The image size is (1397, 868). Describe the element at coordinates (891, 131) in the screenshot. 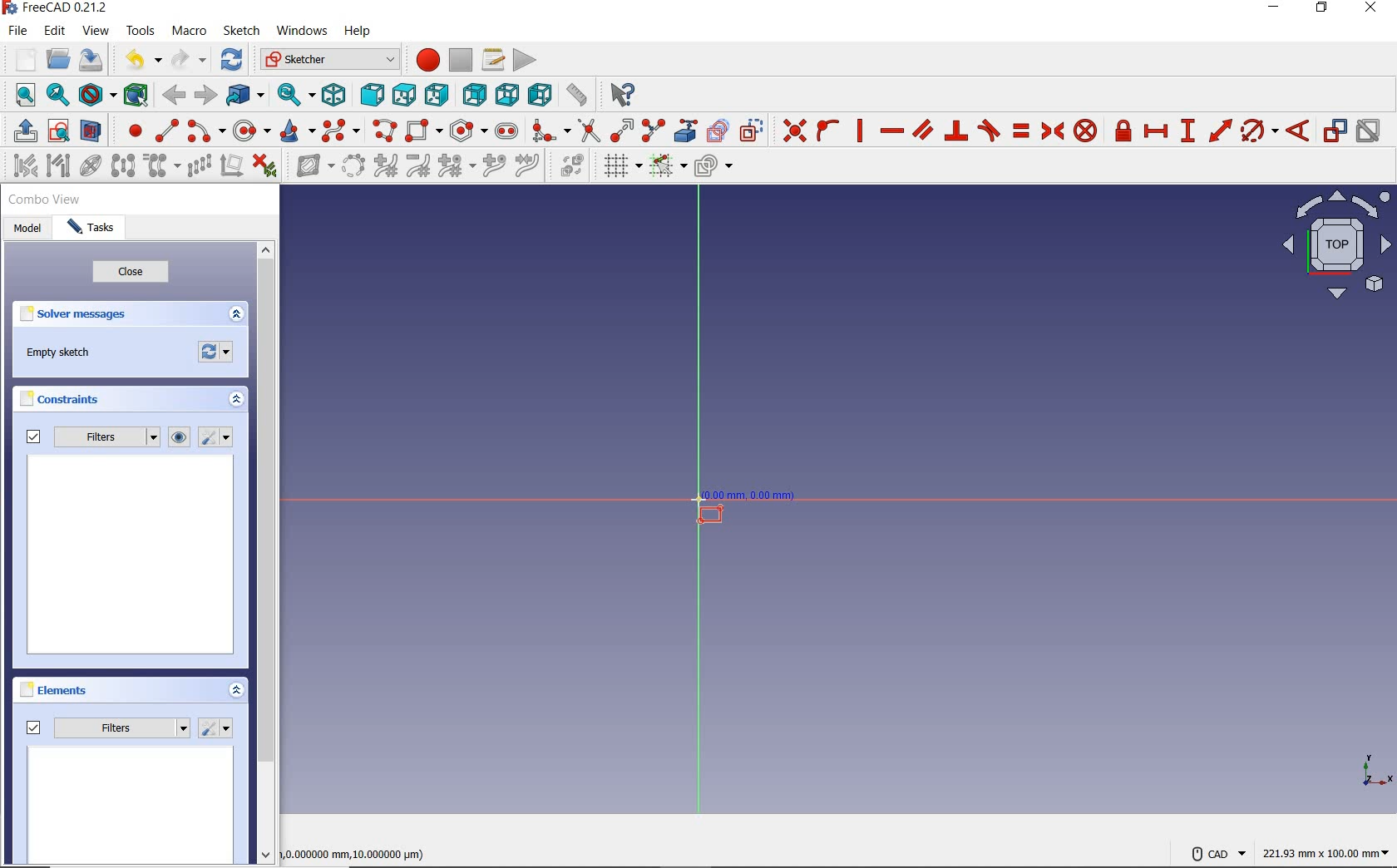

I see `constrain horizontally` at that location.